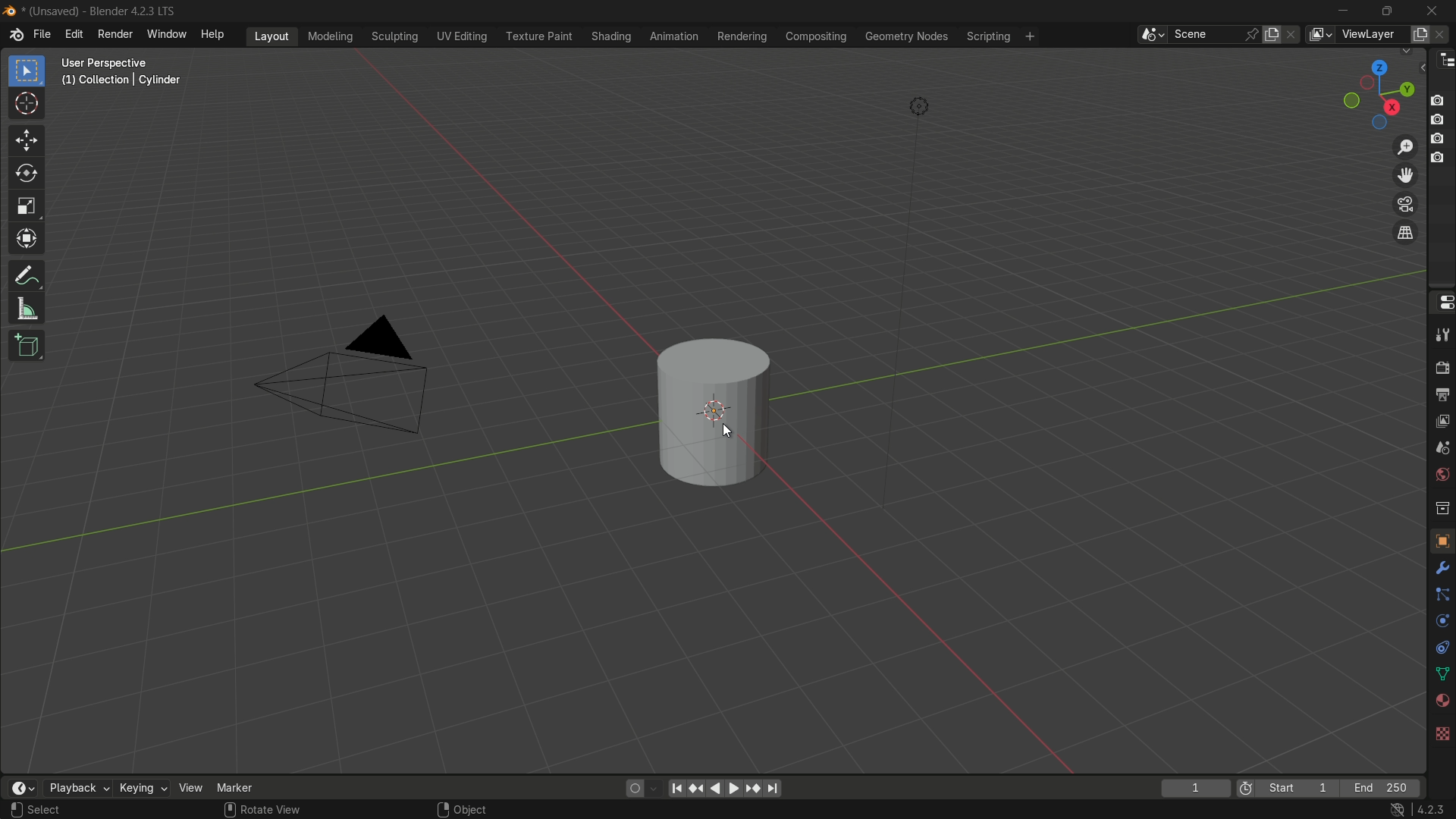  What do you see at coordinates (1442, 302) in the screenshot?
I see `properties` at bounding box center [1442, 302].